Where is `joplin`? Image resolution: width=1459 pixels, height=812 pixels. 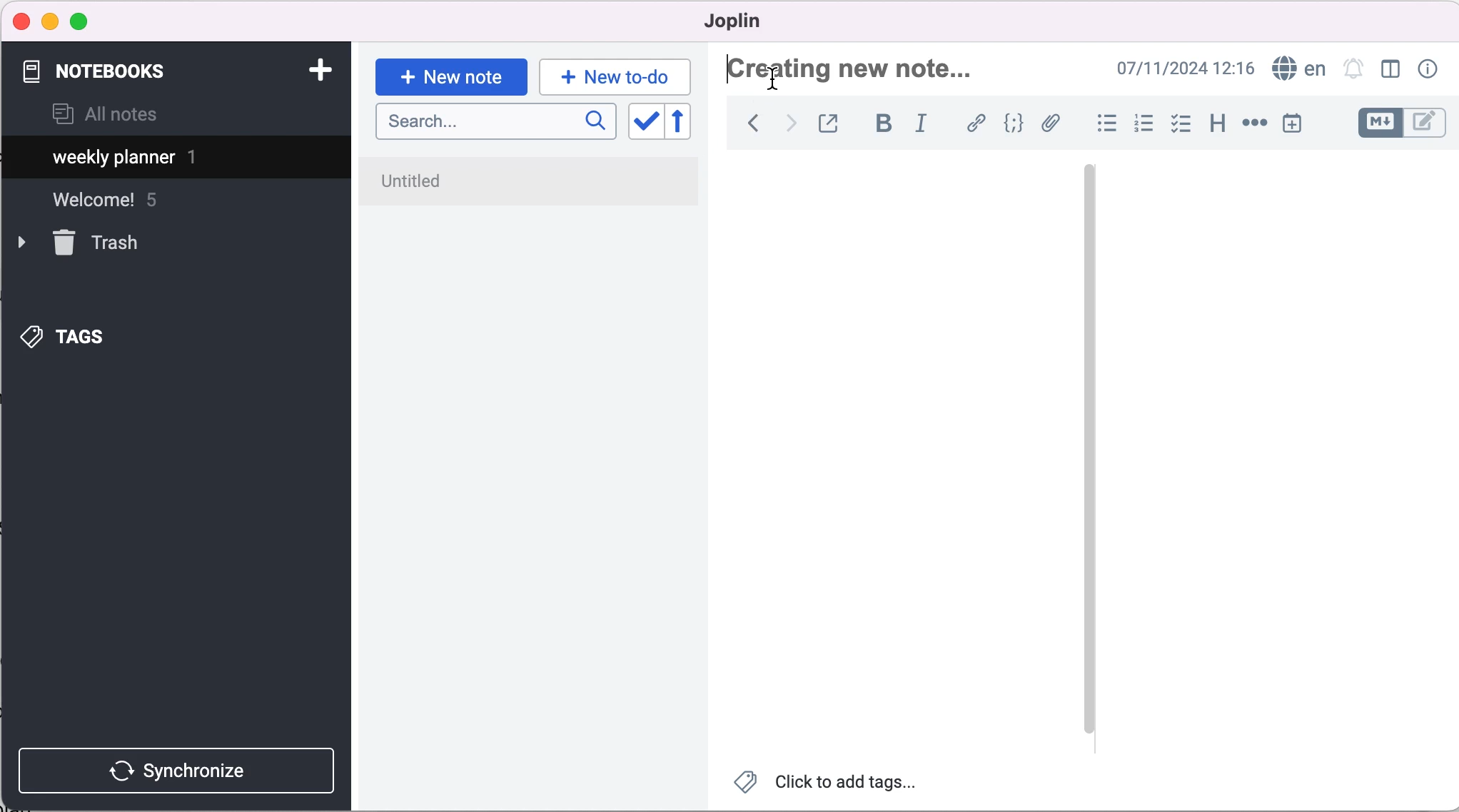
joplin is located at coordinates (754, 21).